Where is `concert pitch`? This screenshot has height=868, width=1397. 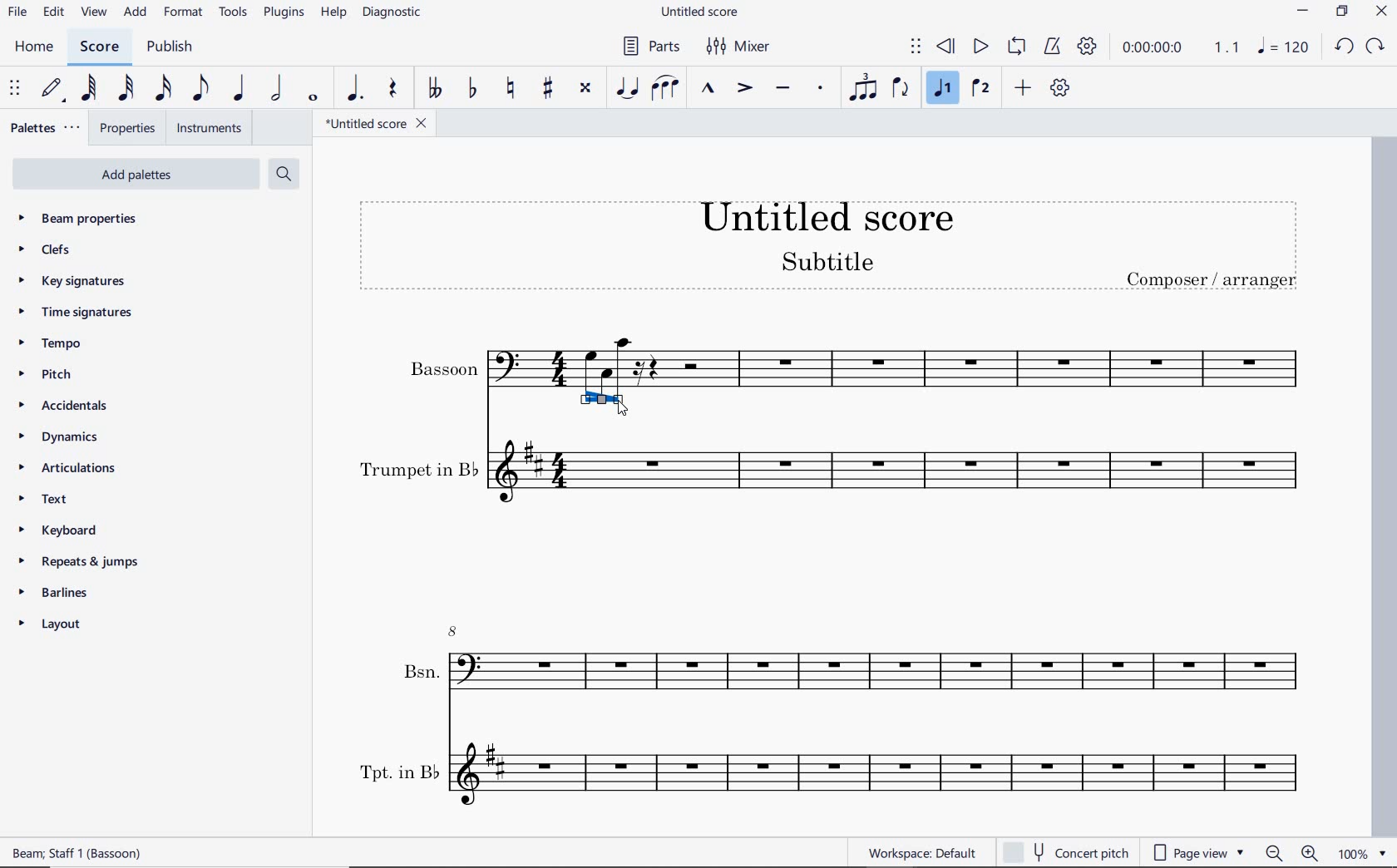
concert pitch is located at coordinates (1063, 851).